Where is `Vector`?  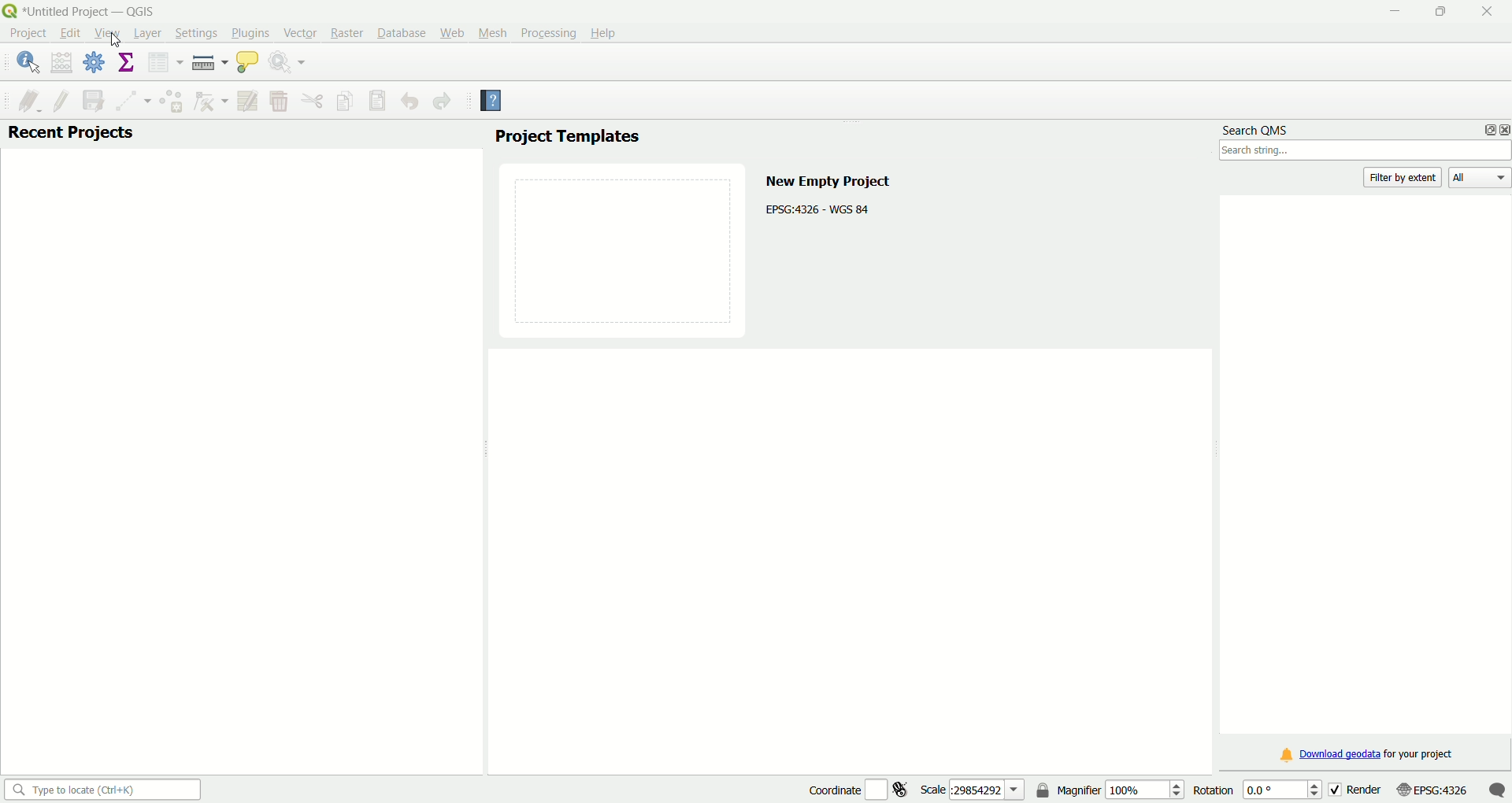
Vector is located at coordinates (298, 32).